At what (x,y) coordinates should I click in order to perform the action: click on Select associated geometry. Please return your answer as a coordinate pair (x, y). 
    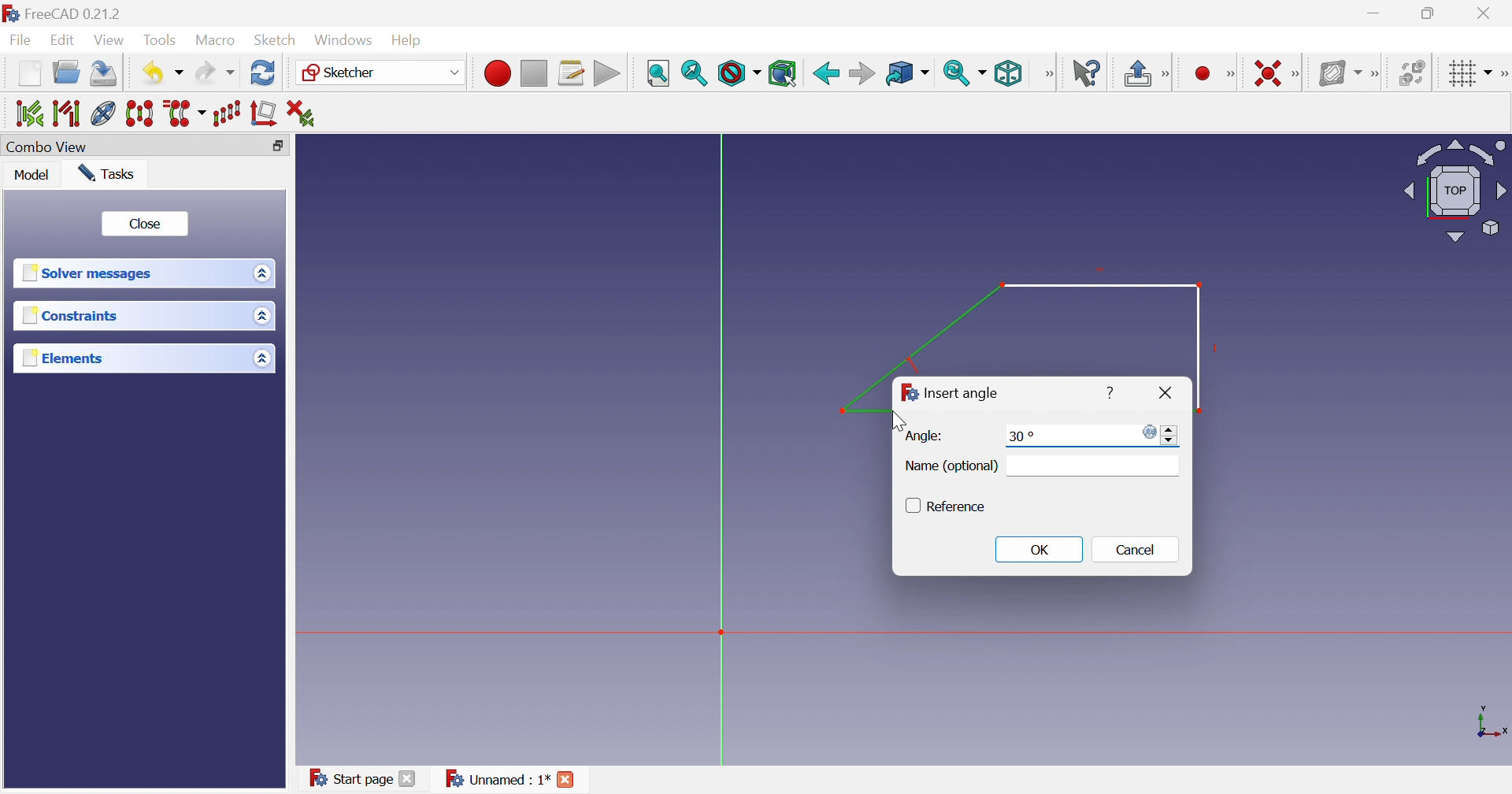
    Looking at the image, I should click on (65, 113).